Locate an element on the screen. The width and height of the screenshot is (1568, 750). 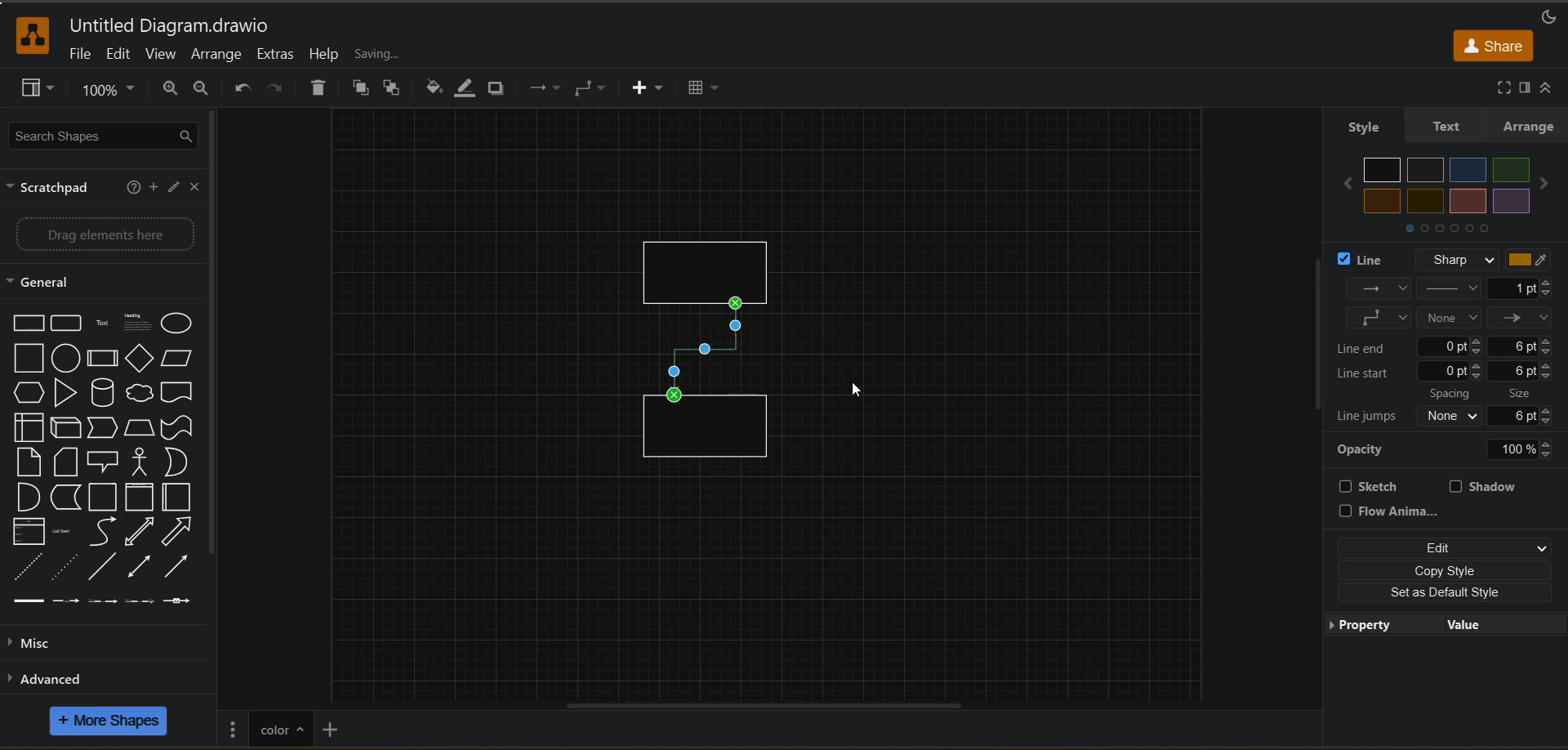
Curve is located at coordinates (105, 533).